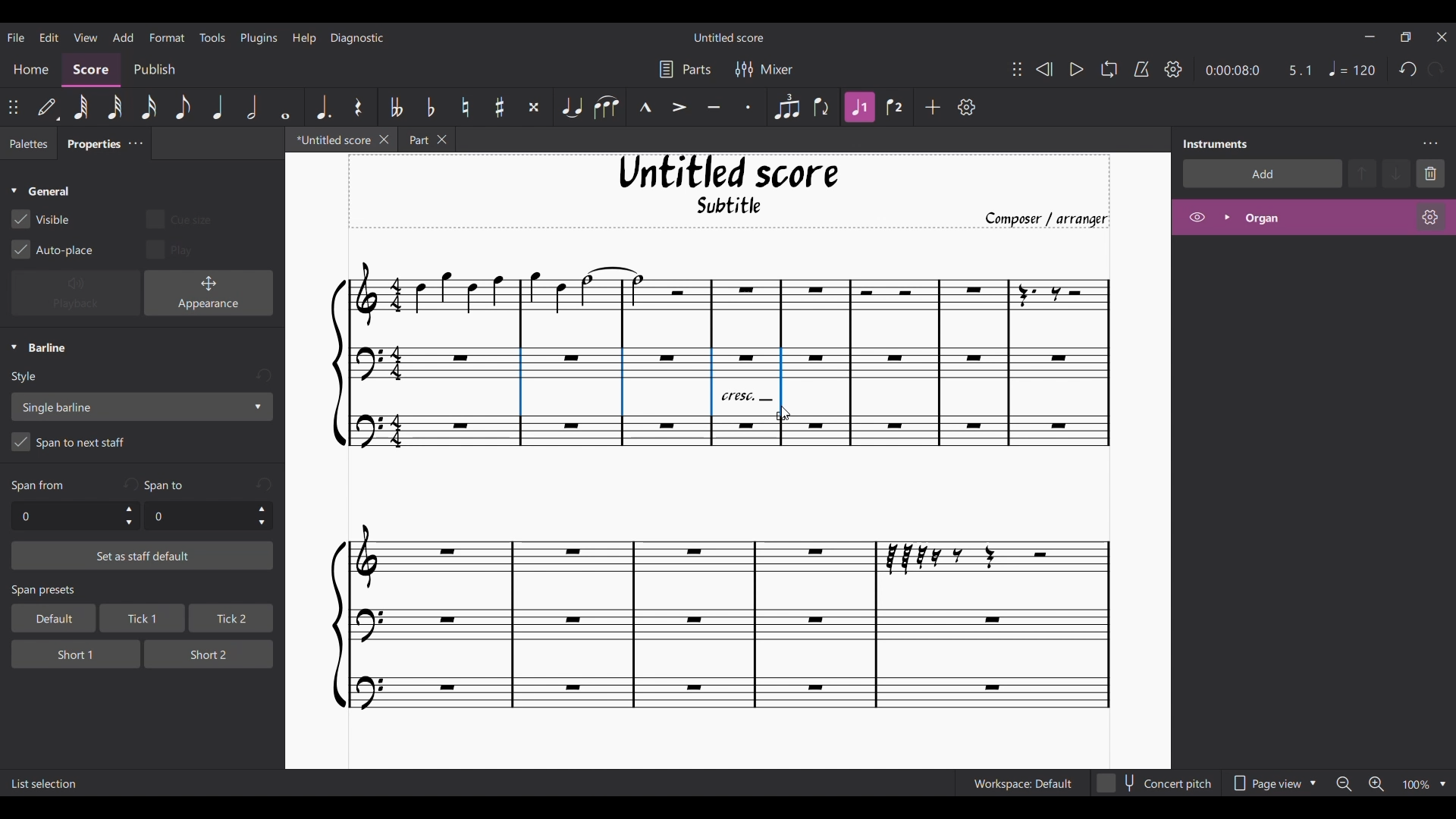 This screenshot has height=819, width=1456. What do you see at coordinates (141, 406) in the screenshot?
I see `single barline` at bounding box center [141, 406].